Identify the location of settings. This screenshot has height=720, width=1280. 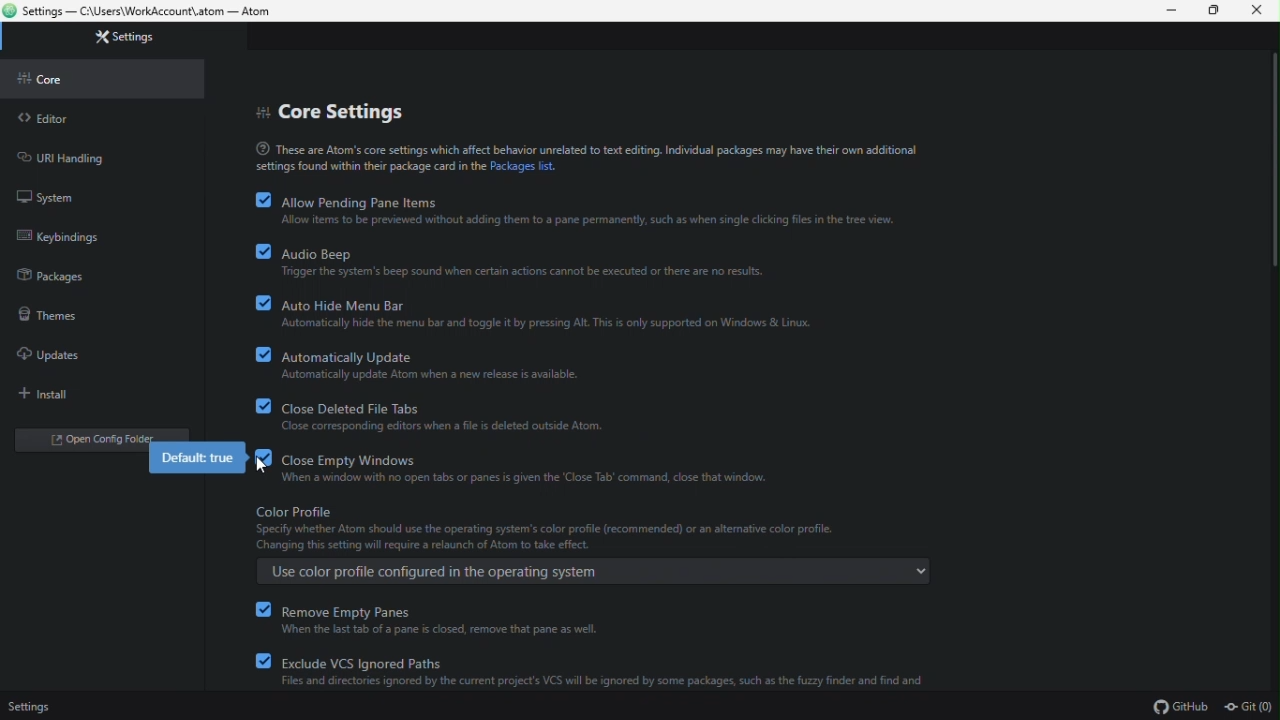
(31, 706).